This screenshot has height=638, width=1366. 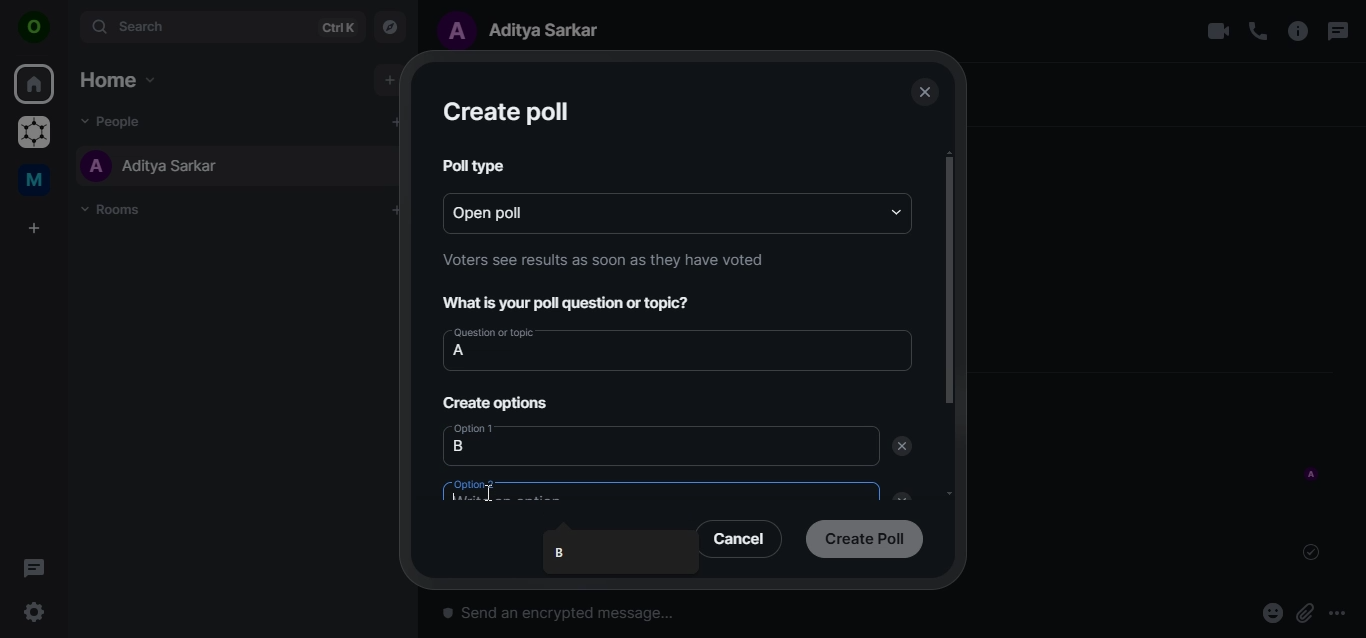 What do you see at coordinates (391, 25) in the screenshot?
I see `explore rooms` at bounding box center [391, 25].